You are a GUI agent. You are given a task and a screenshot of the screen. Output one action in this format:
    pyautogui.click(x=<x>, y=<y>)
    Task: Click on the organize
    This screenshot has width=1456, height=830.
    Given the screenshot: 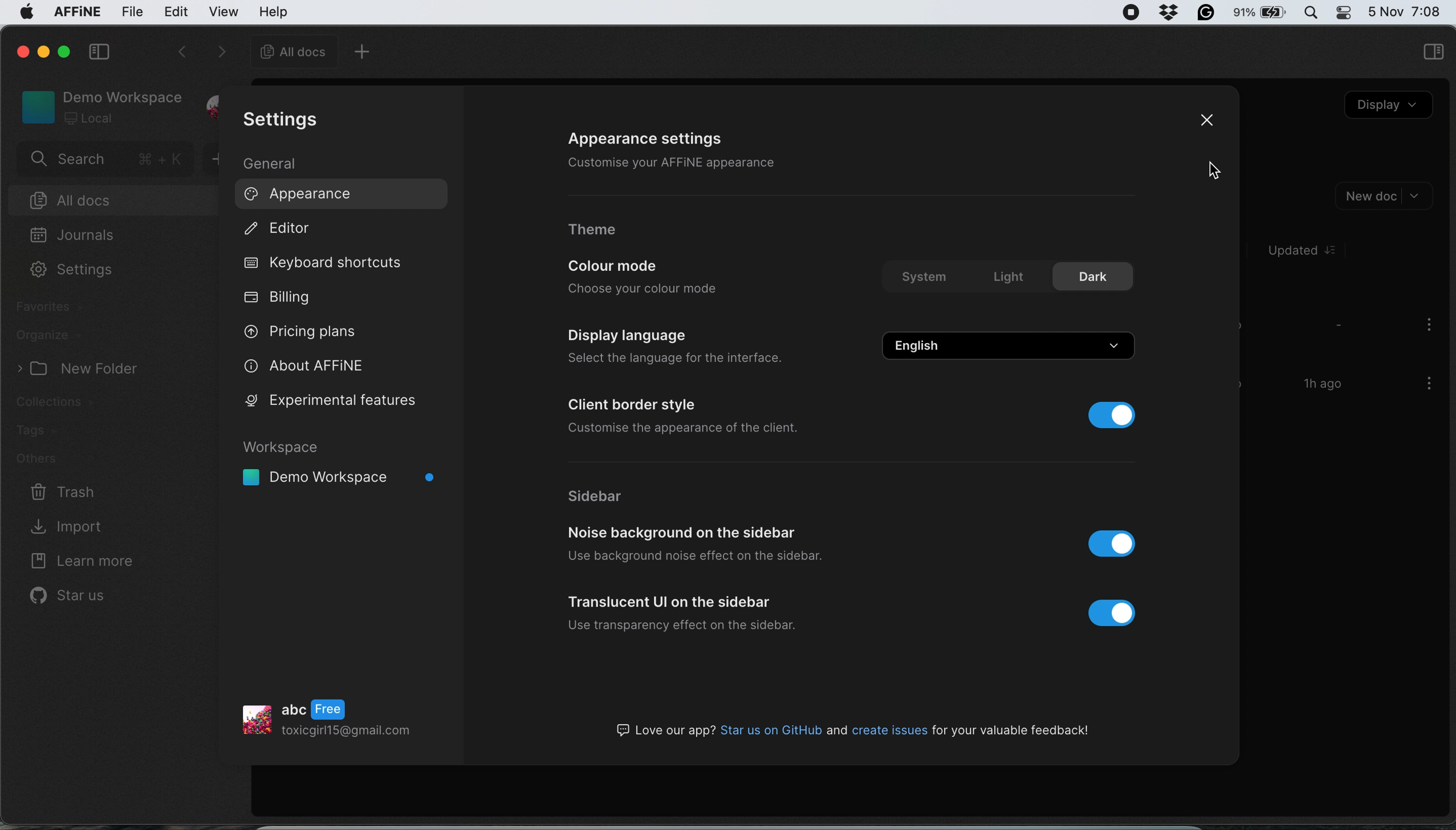 What is the action you would take?
    pyautogui.click(x=61, y=336)
    